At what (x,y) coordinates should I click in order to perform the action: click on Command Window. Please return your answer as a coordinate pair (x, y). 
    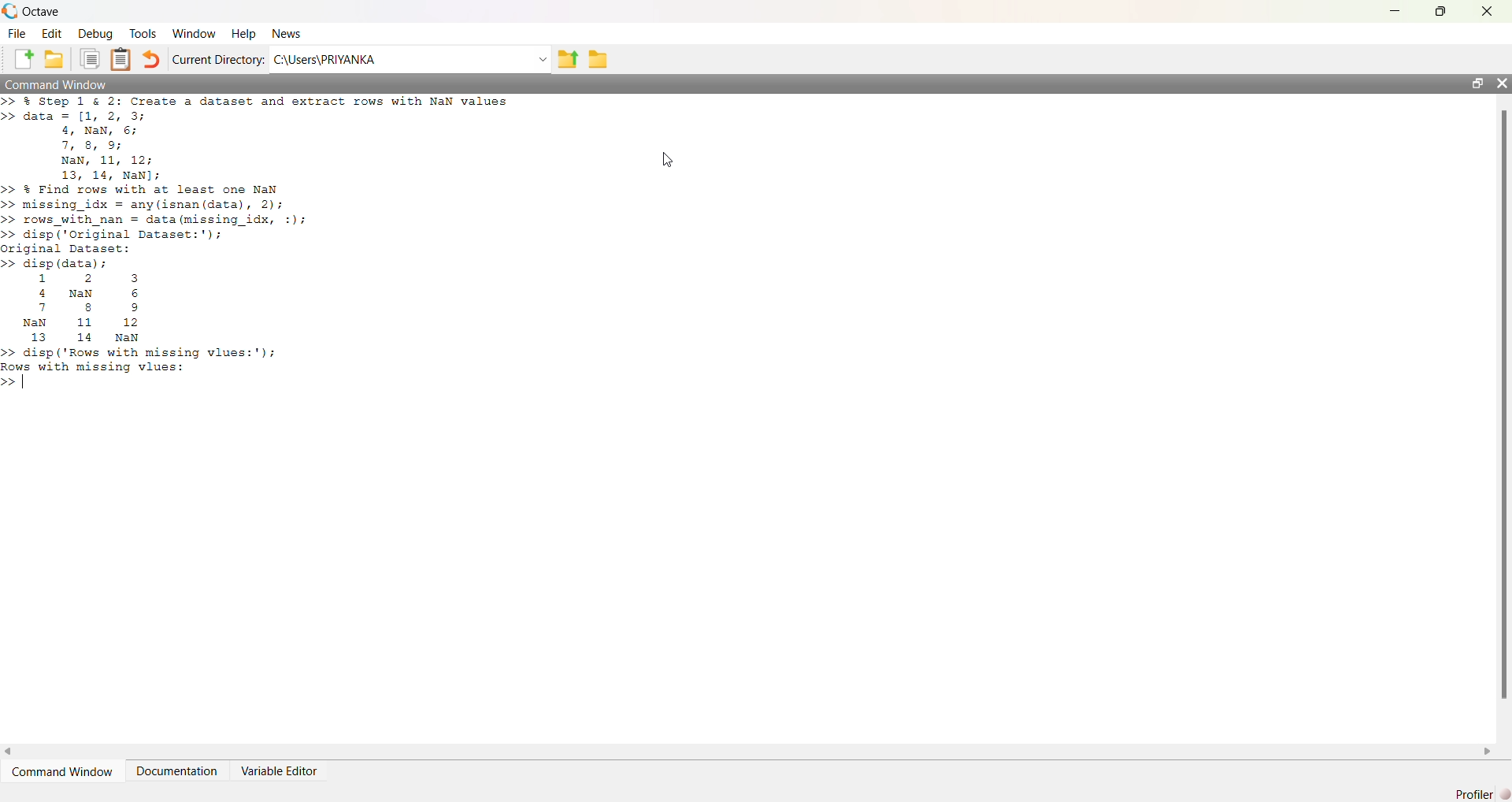
    Looking at the image, I should click on (57, 84).